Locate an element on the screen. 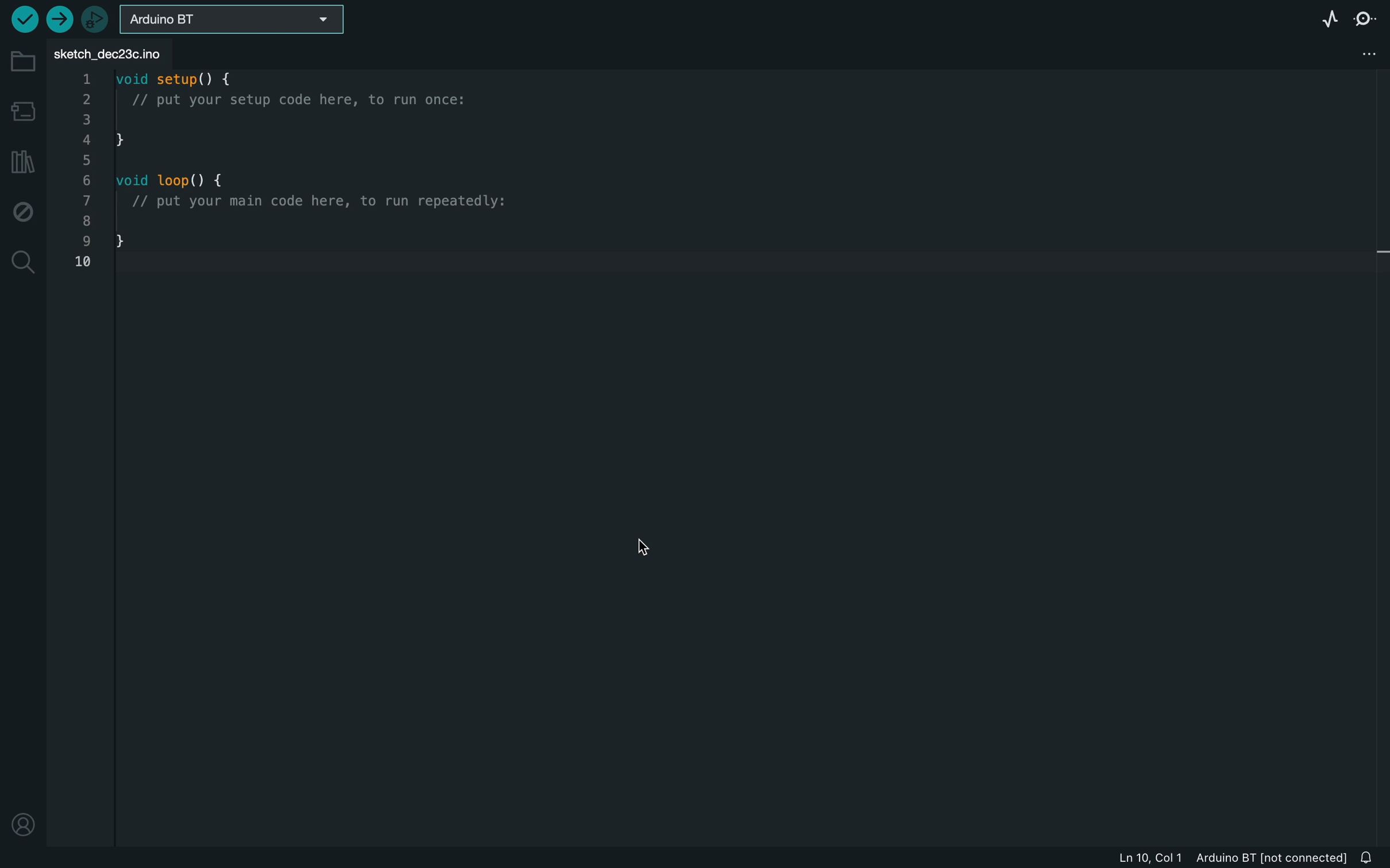 The image size is (1390, 868). folder is located at coordinates (24, 63).